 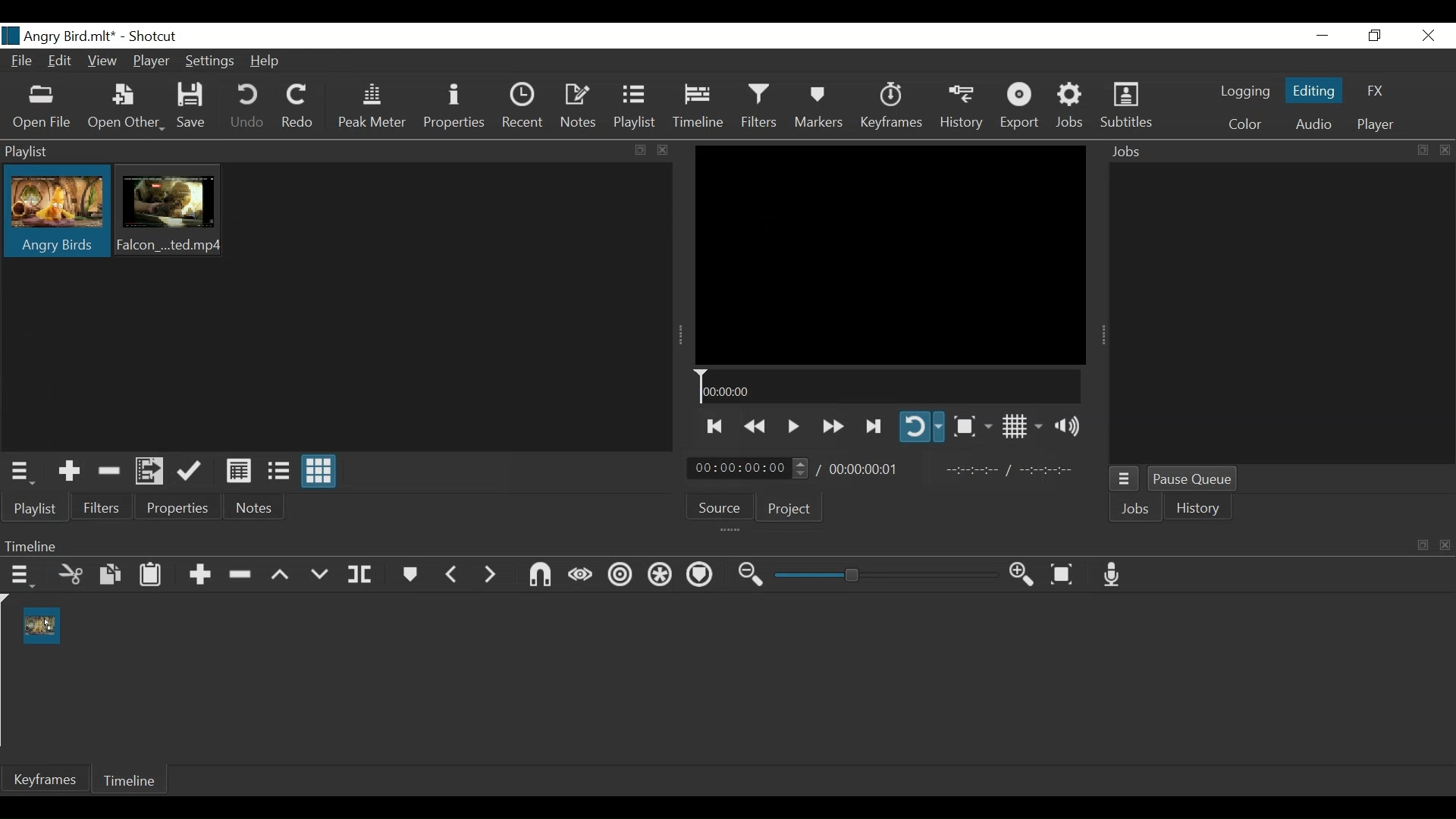 I want to click on Clip, so click(x=44, y=626).